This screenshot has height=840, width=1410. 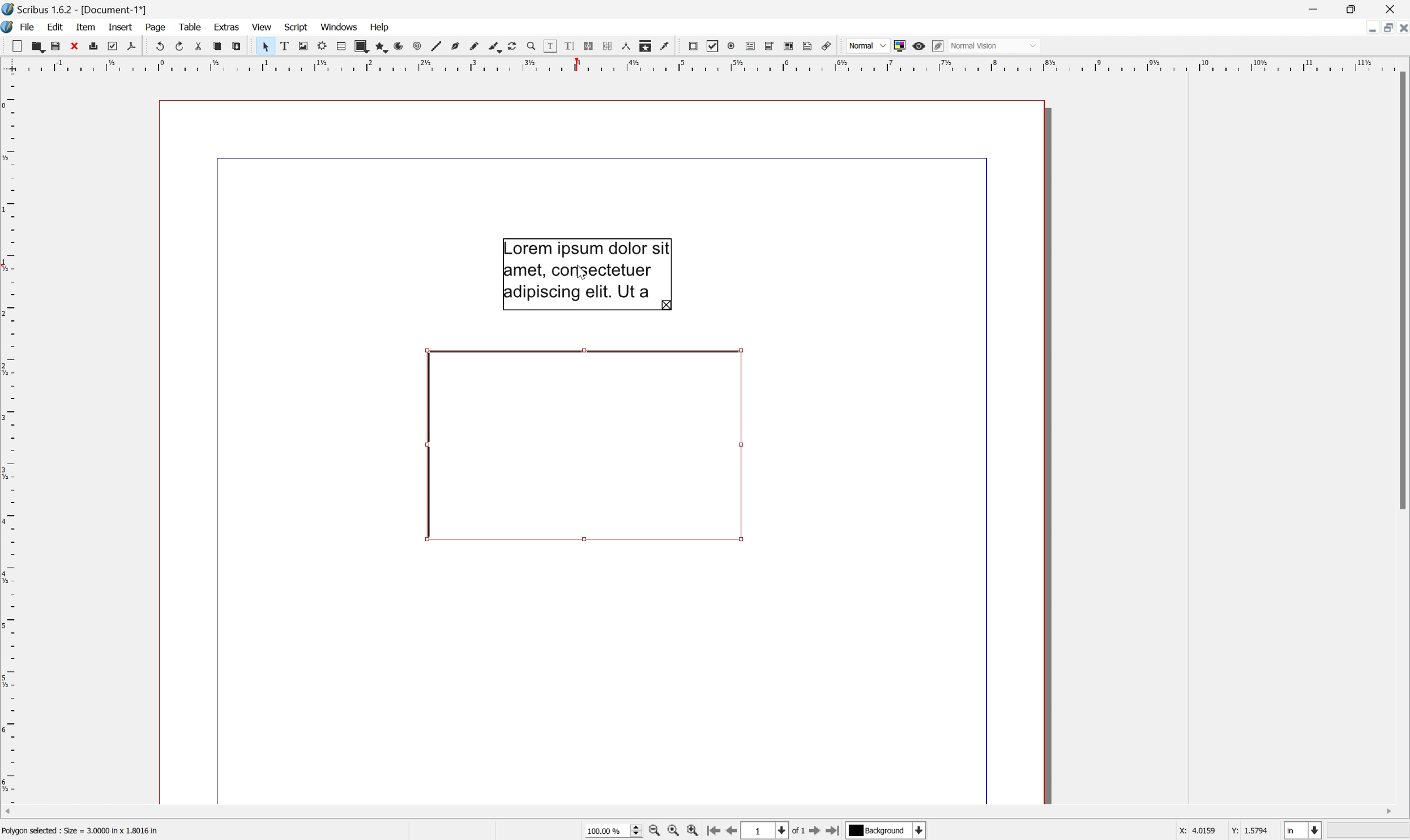 I want to click on Scribus icon, so click(x=9, y=27).